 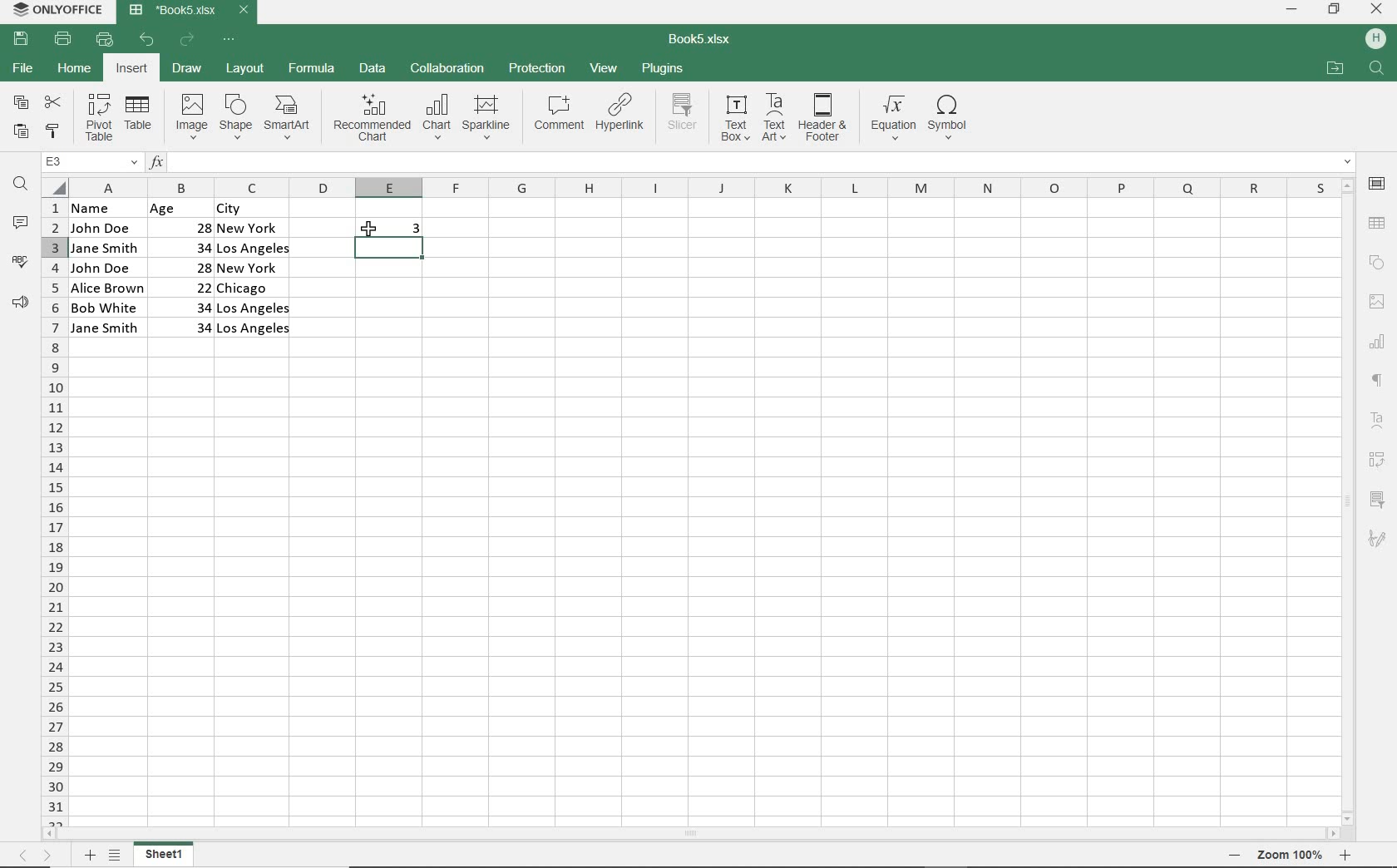 I want to click on COPY STYLE, so click(x=53, y=132).